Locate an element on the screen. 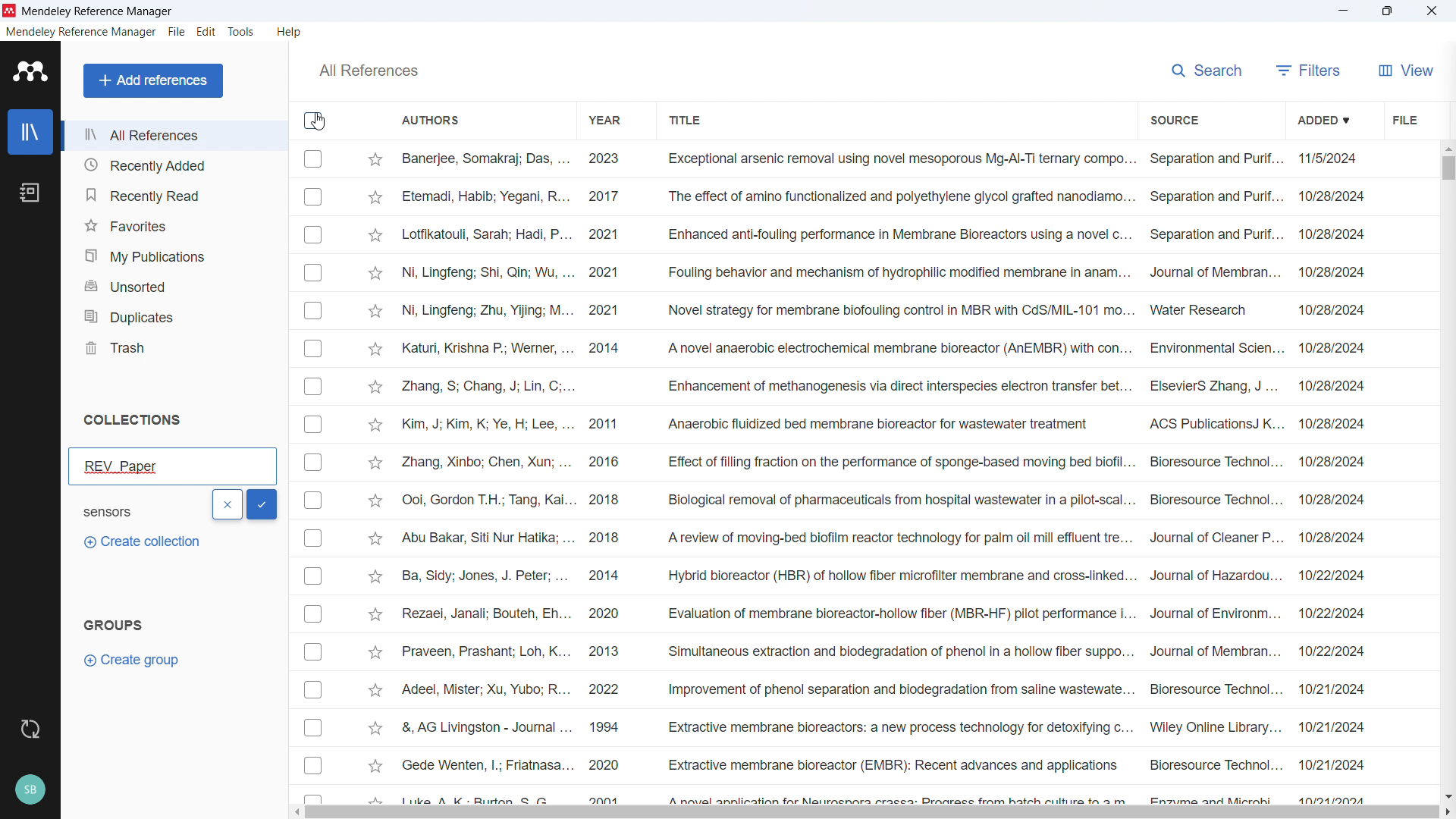 The image size is (1456, 819). Select respective publication is located at coordinates (313, 273).